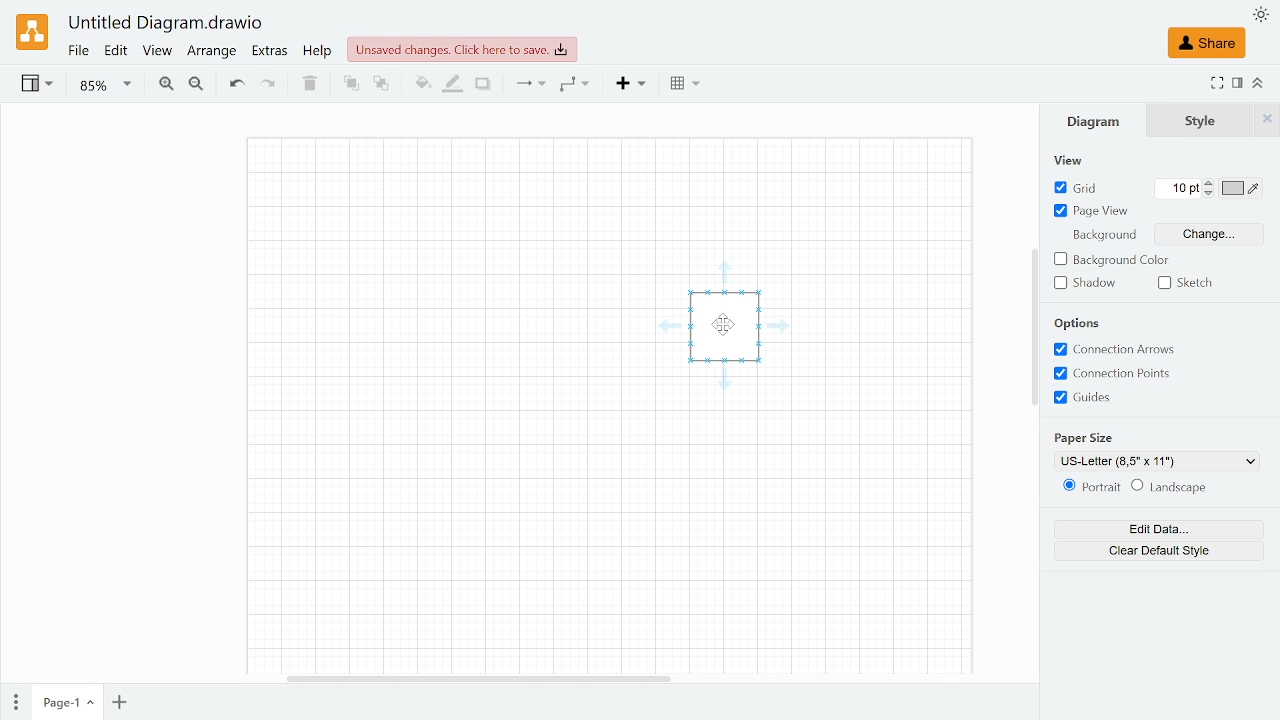 This screenshot has width=1280, height=720. Describe the element at coordinates (1242, 190) in the screenshot. I see `Grid color` at that location.